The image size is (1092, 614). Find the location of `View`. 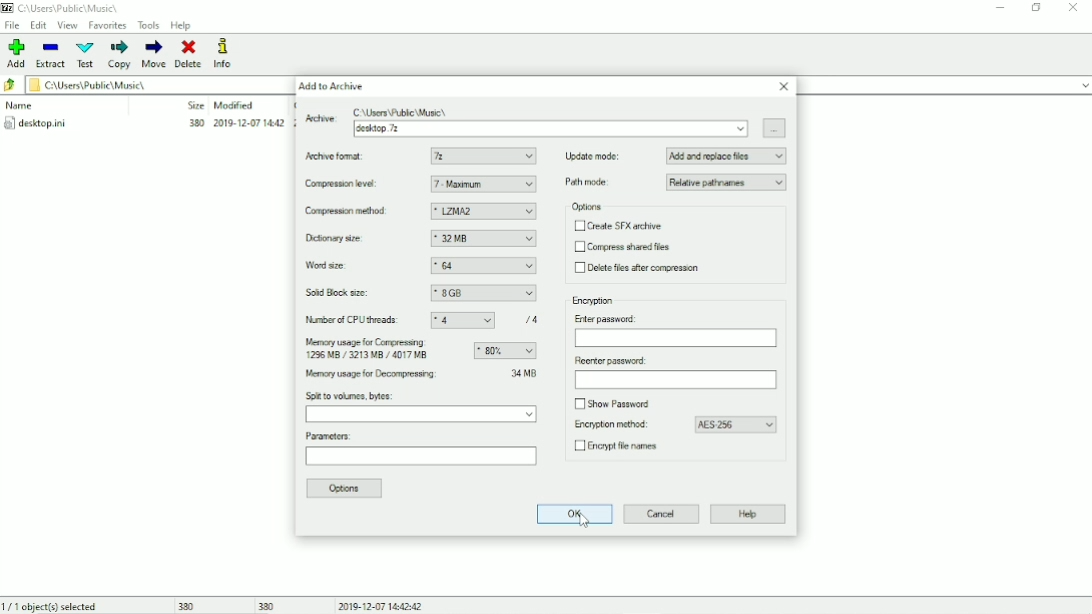

View is located at coordinates (67, 26).